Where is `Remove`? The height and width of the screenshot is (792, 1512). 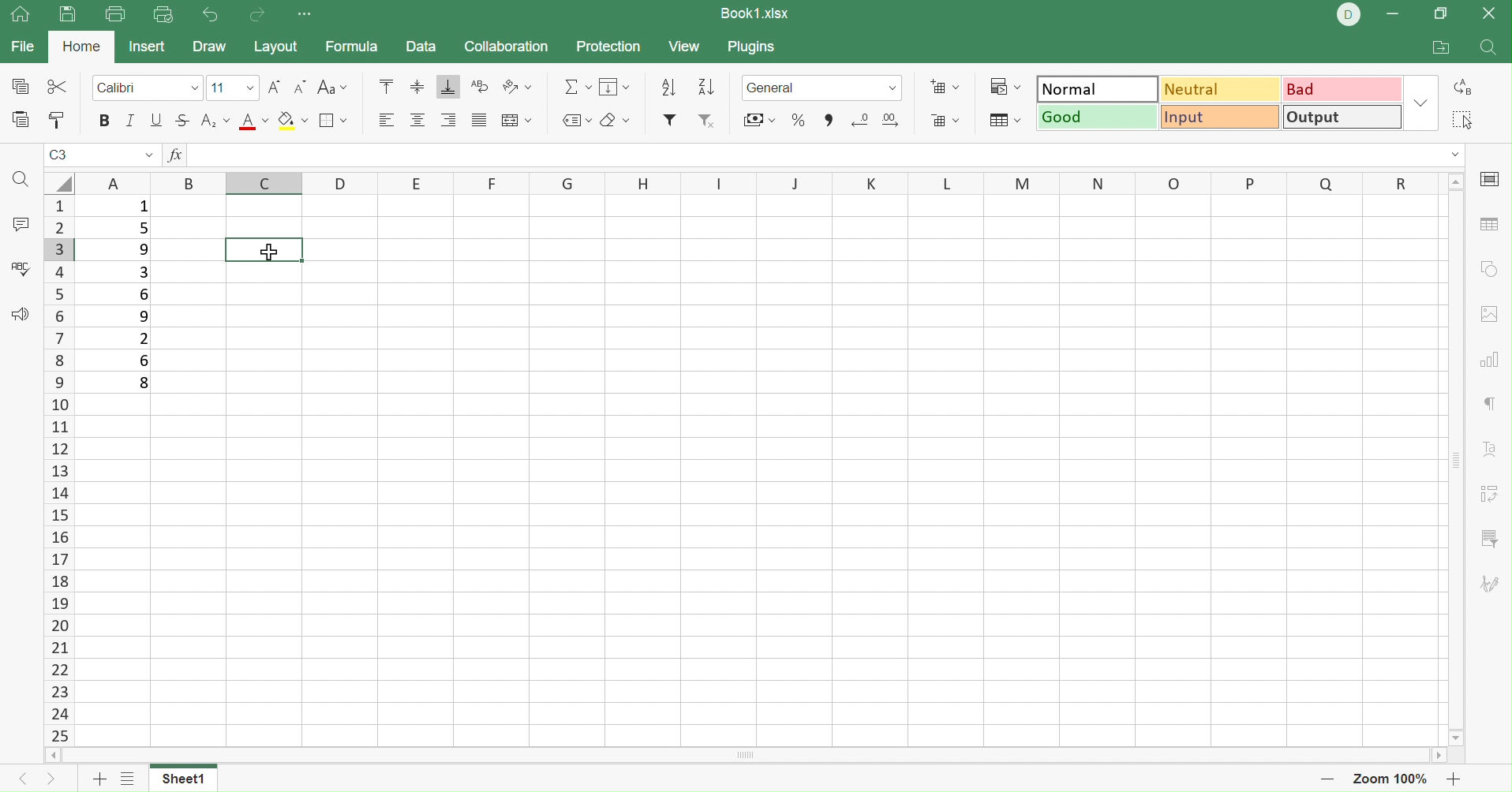
Remove is located at coordinates (706, 121).